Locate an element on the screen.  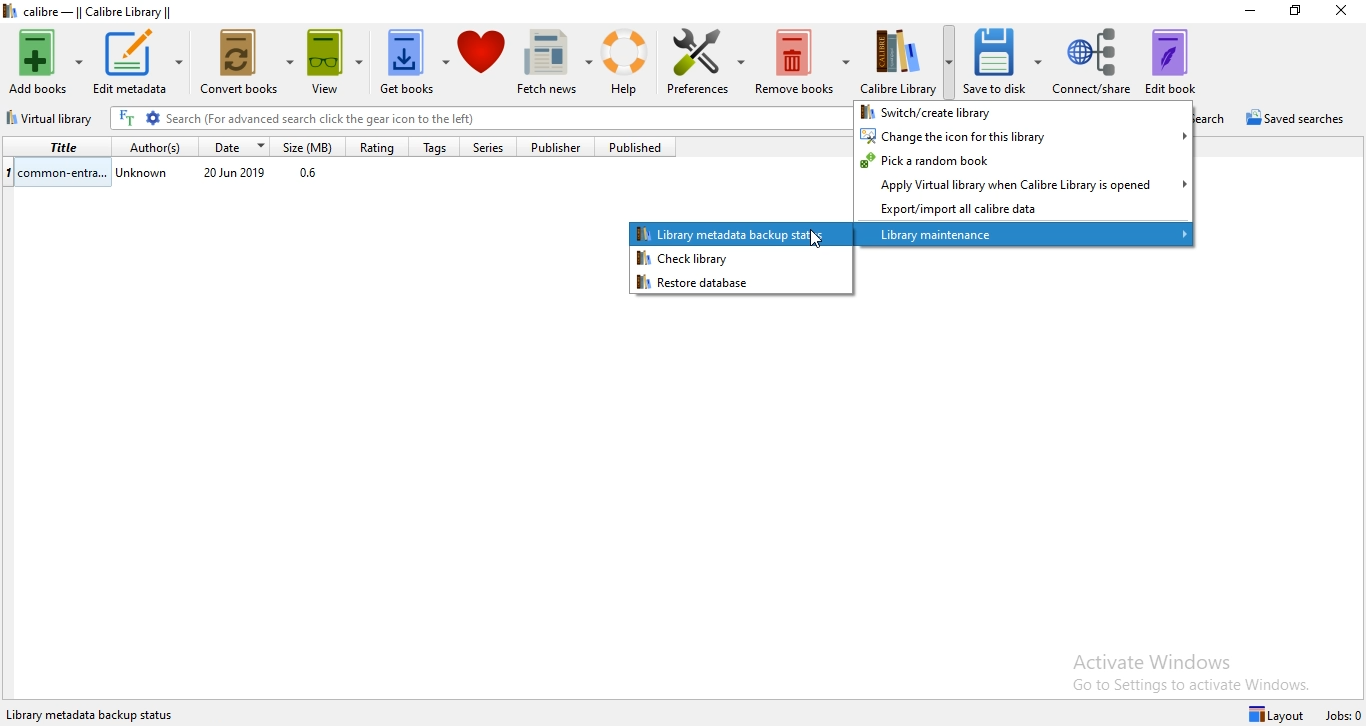
Save to disk is located at coordinates (1006, 61).